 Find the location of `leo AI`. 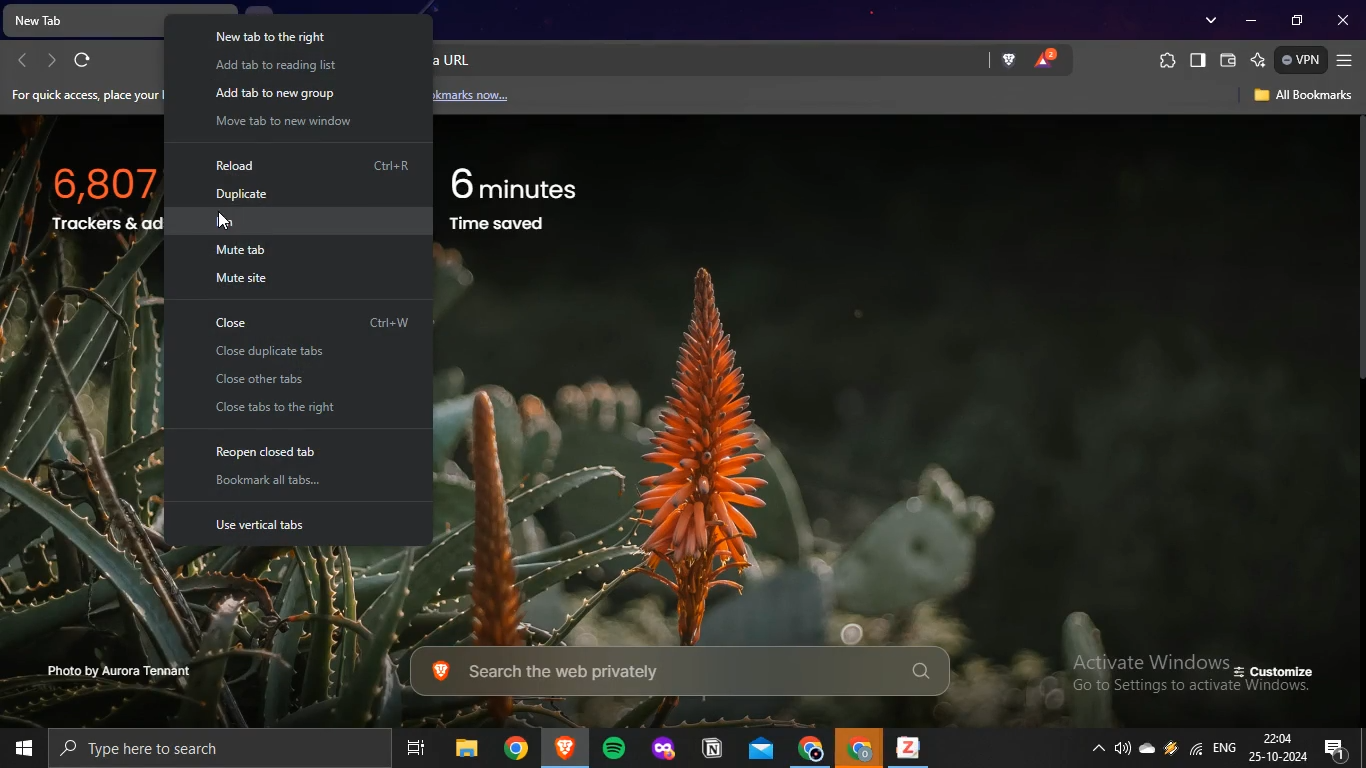

leo AI is located at coordinates (1258, 59).